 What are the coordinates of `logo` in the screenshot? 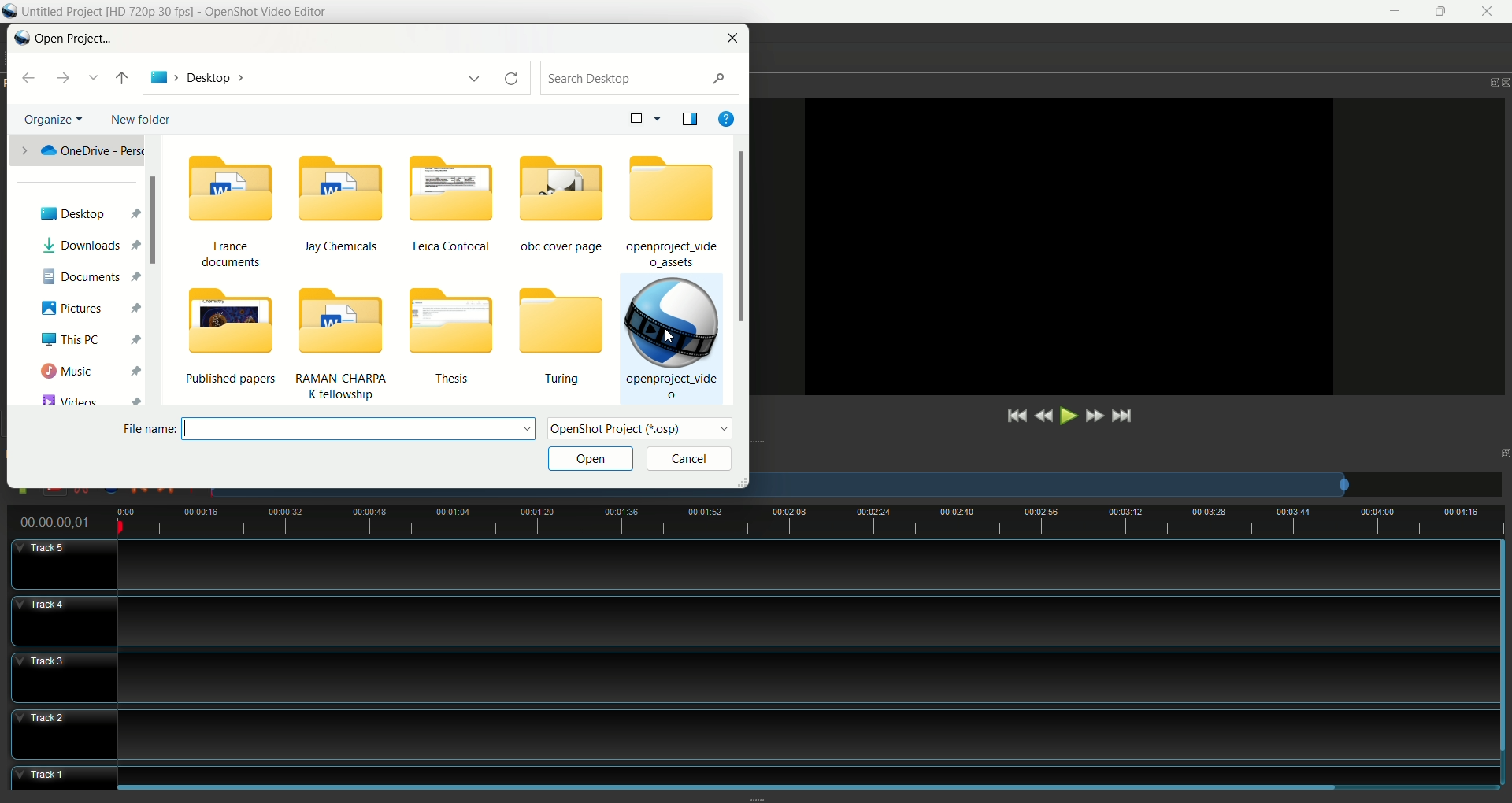 It's located at (20, 36).